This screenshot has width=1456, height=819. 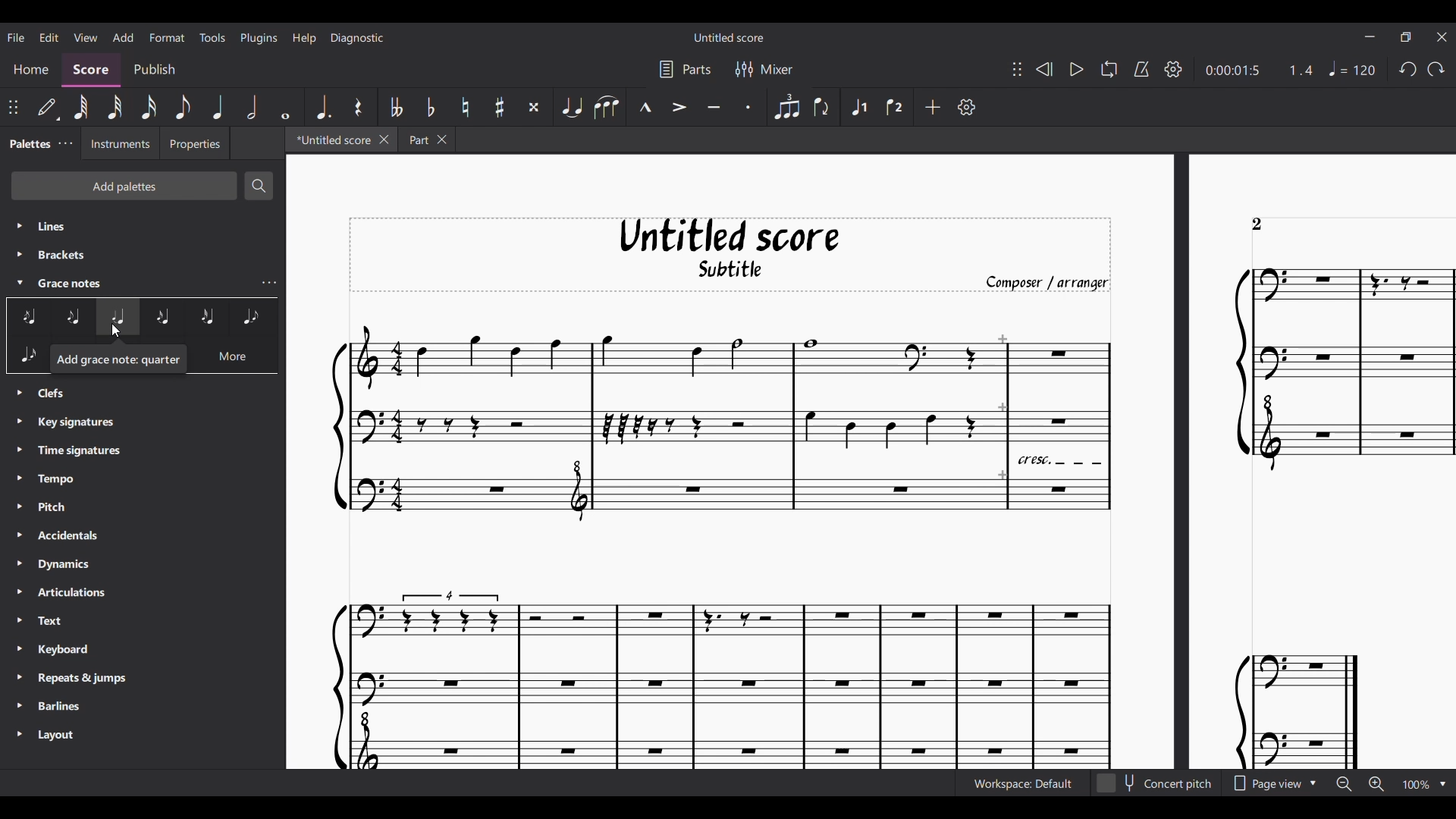 I want to click on Mixer settings, so click(x=764, y=69).